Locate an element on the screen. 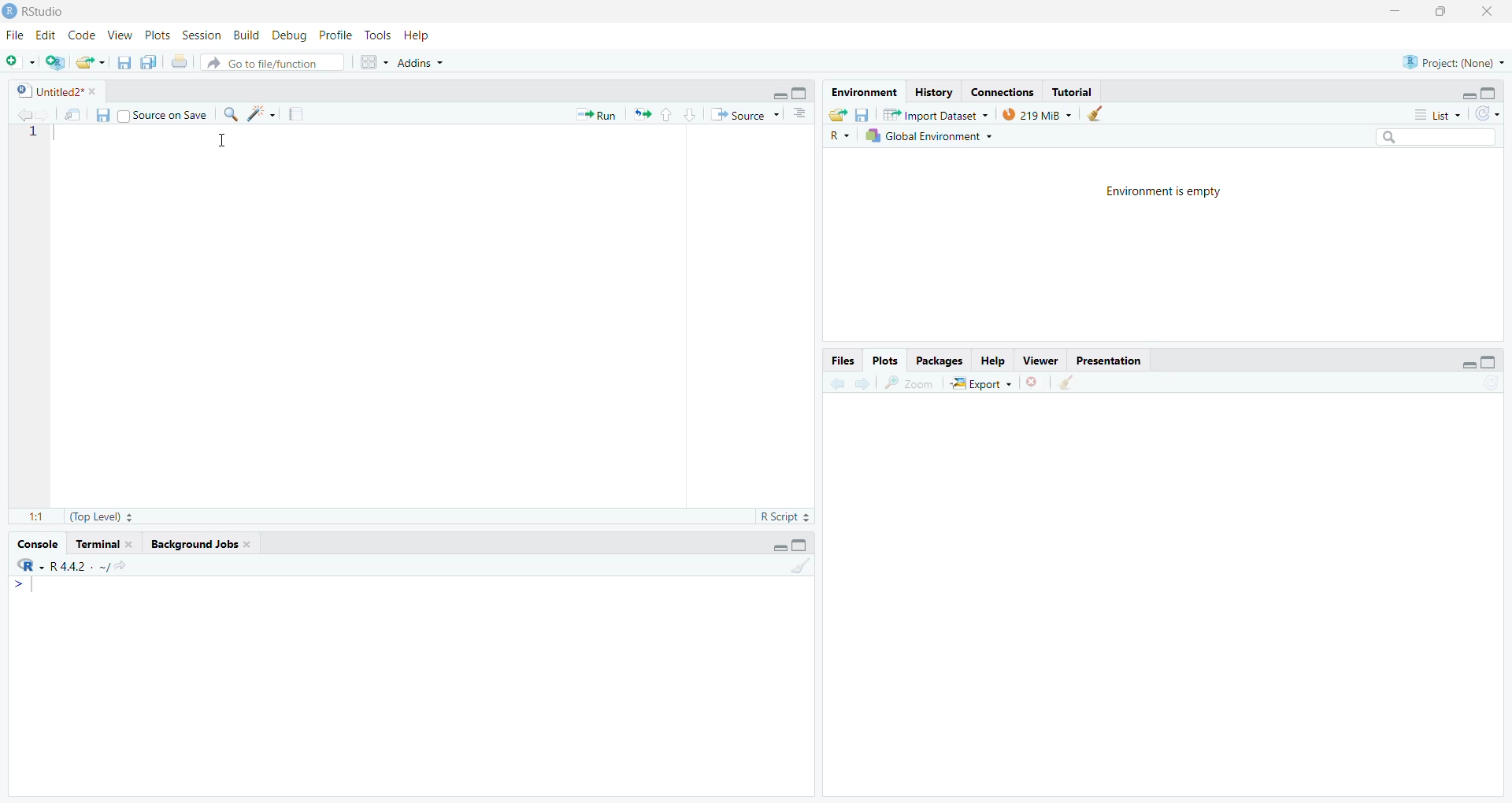 Image resolution: width=1512 pixels, height=803 pixels. Load History from an existing file is located at coordinates (838, 115).